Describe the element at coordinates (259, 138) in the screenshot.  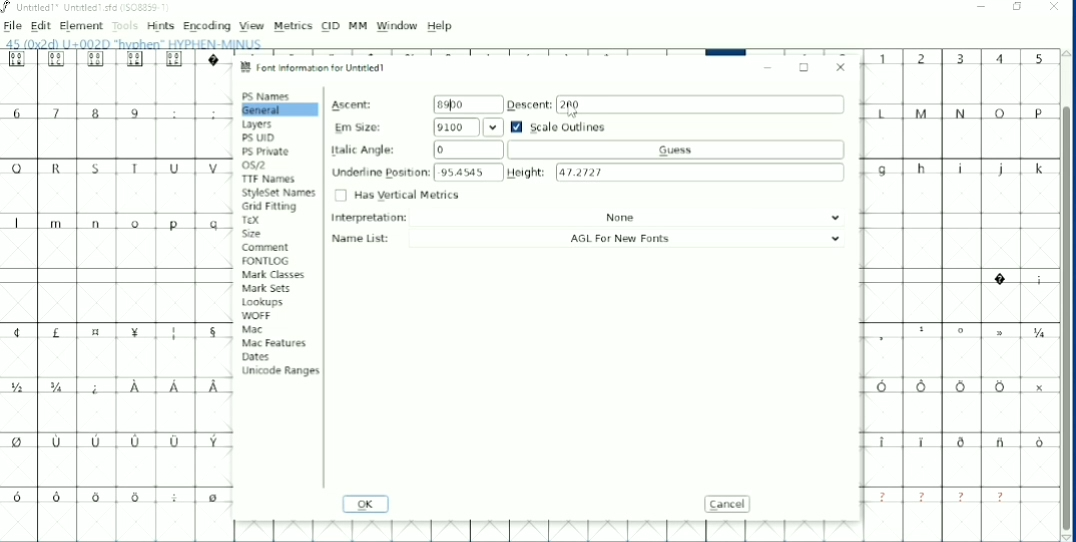
I see `PS UID` at that location.